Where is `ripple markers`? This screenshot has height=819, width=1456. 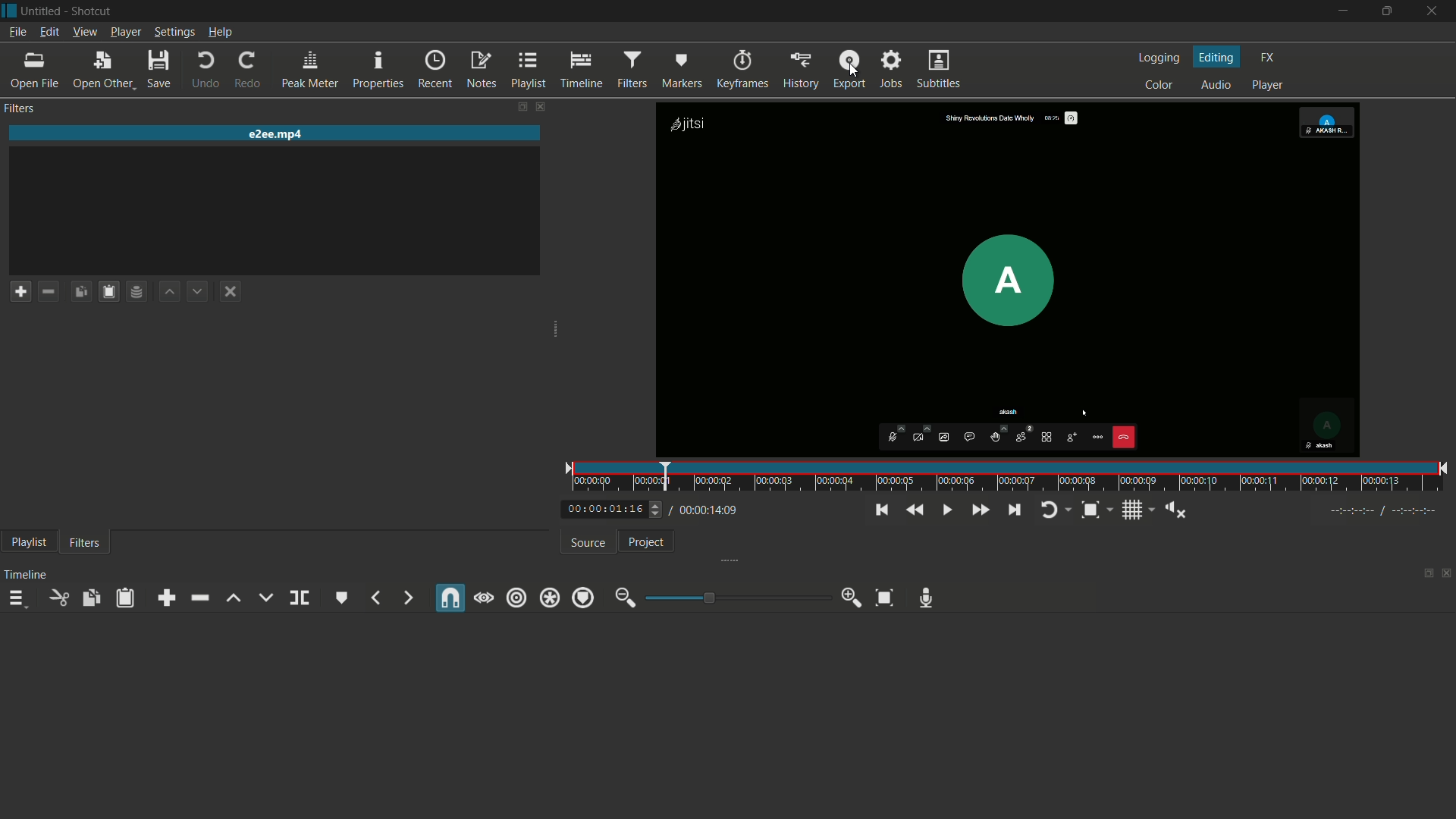 ripple markers is located at coordinates (583, 598).